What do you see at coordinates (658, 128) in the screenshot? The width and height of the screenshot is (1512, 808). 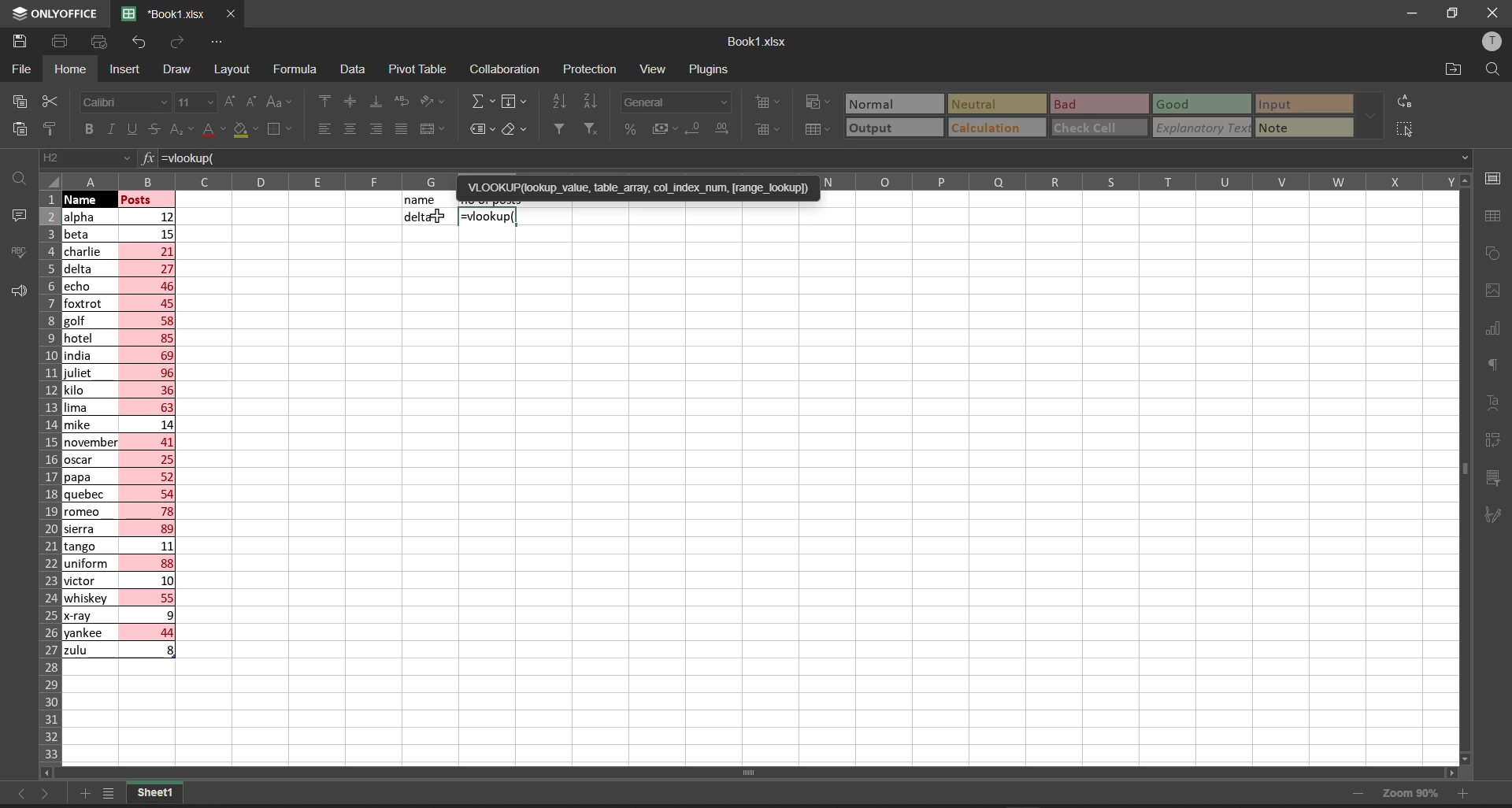 I see `accounting style` at bounding box center [658, 128].